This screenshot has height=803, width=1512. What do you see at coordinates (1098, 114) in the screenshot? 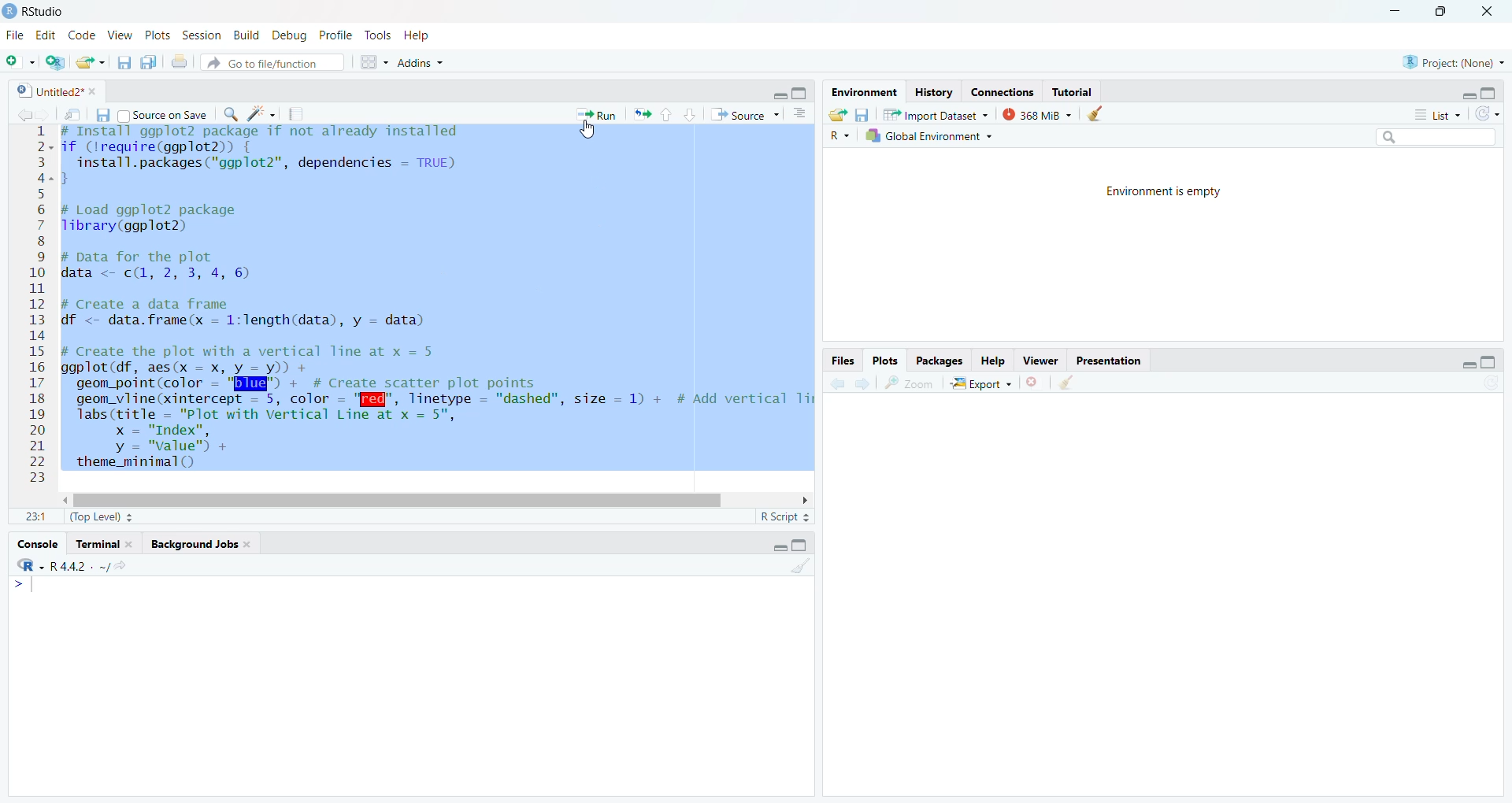
I see `clear` at bounding box center [1098, 114].